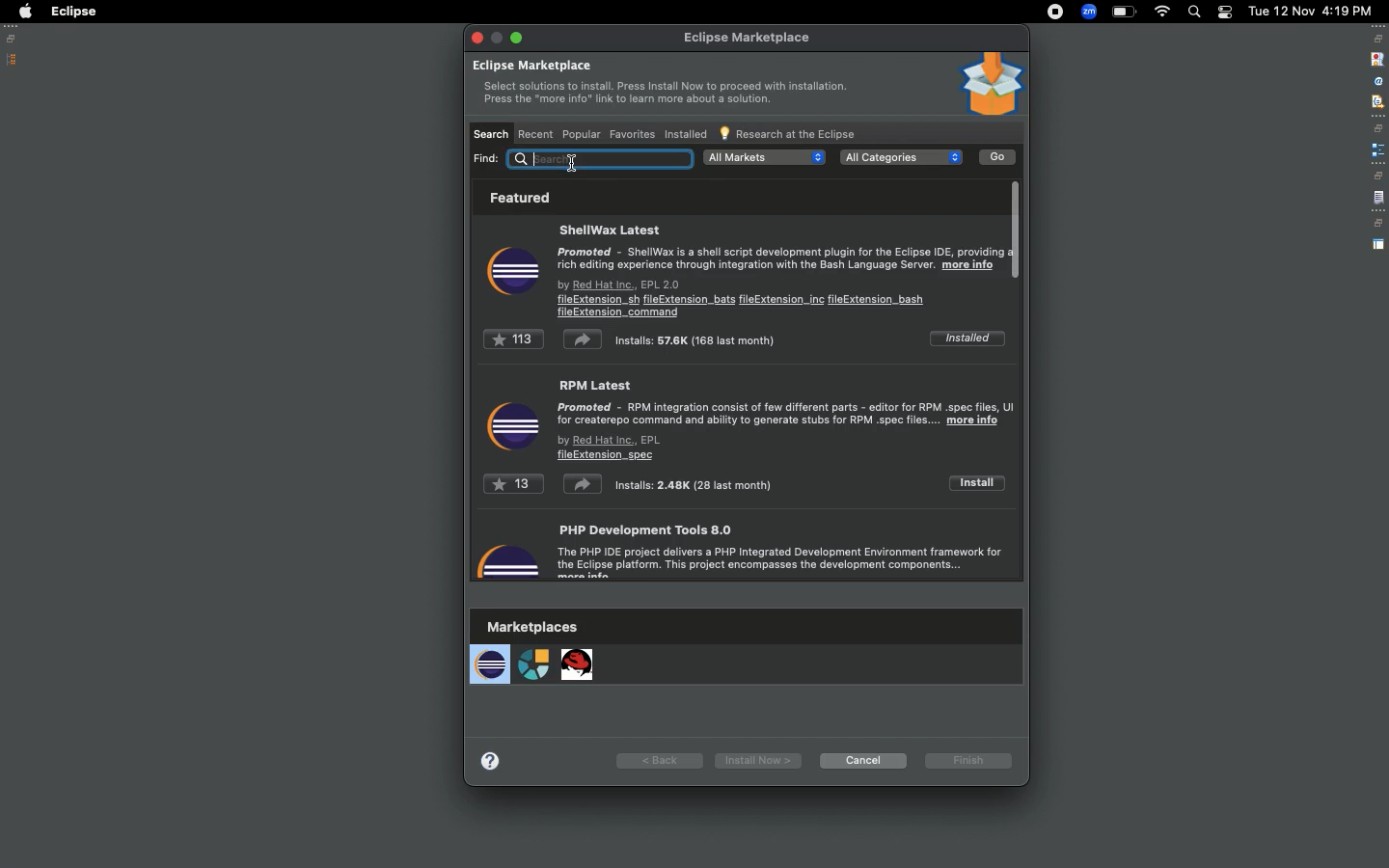 This screenshot has width=1389, height=868. Describe the element at coordinates (659, 759) in the screenshot. I see `Back` at that location.